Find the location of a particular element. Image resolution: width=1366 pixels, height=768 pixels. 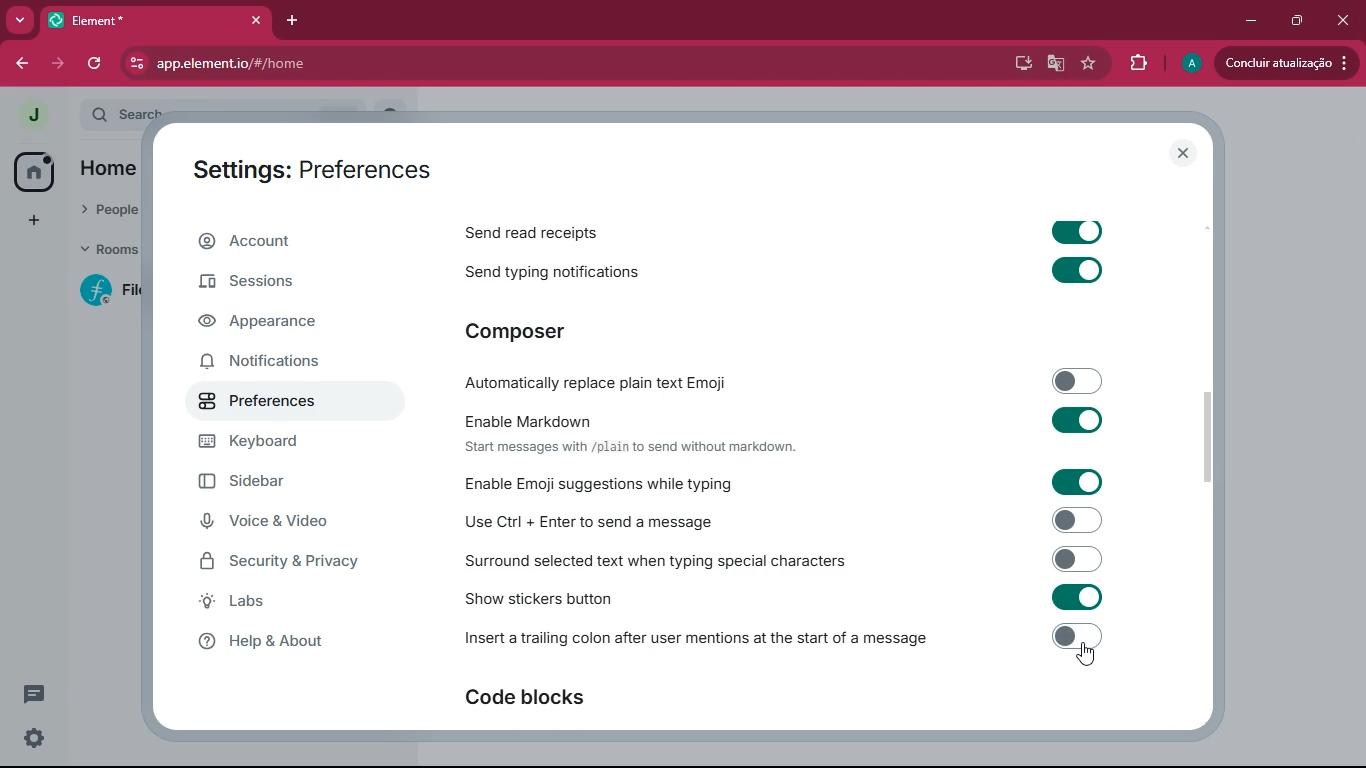

app.element.io/#/home is located at coordinates (410, 64).